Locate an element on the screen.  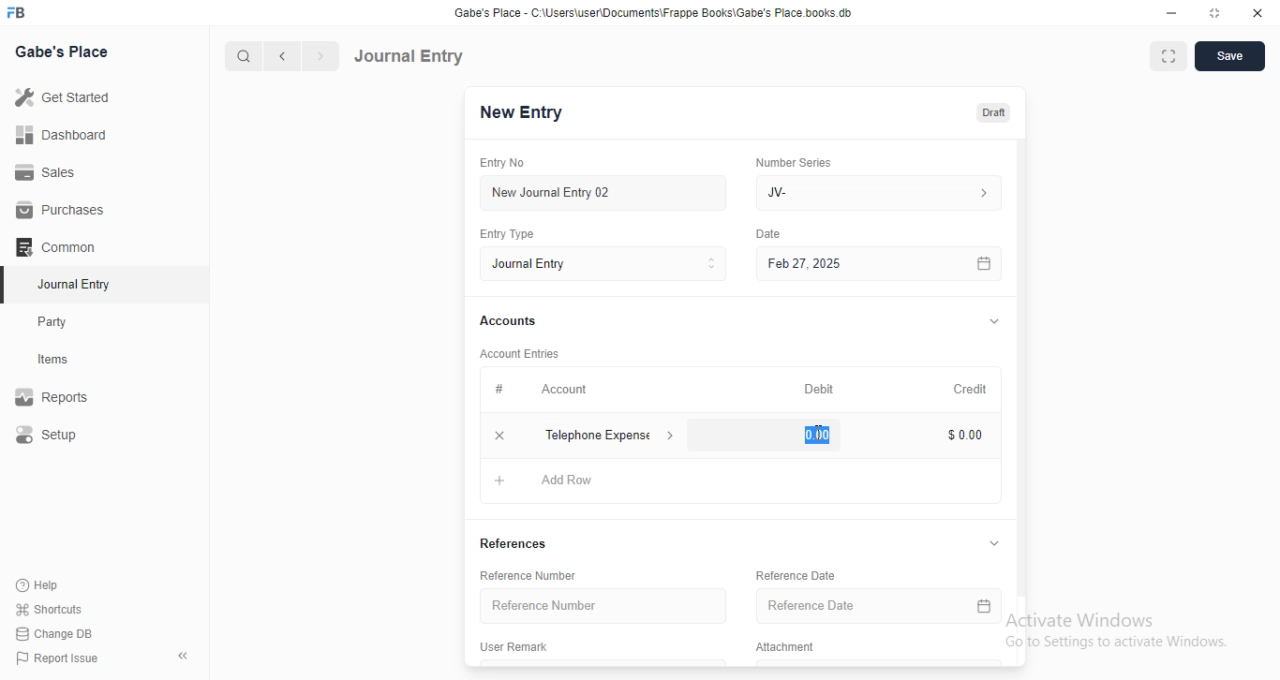
‘User Remark is located at coordinates (515, 645).